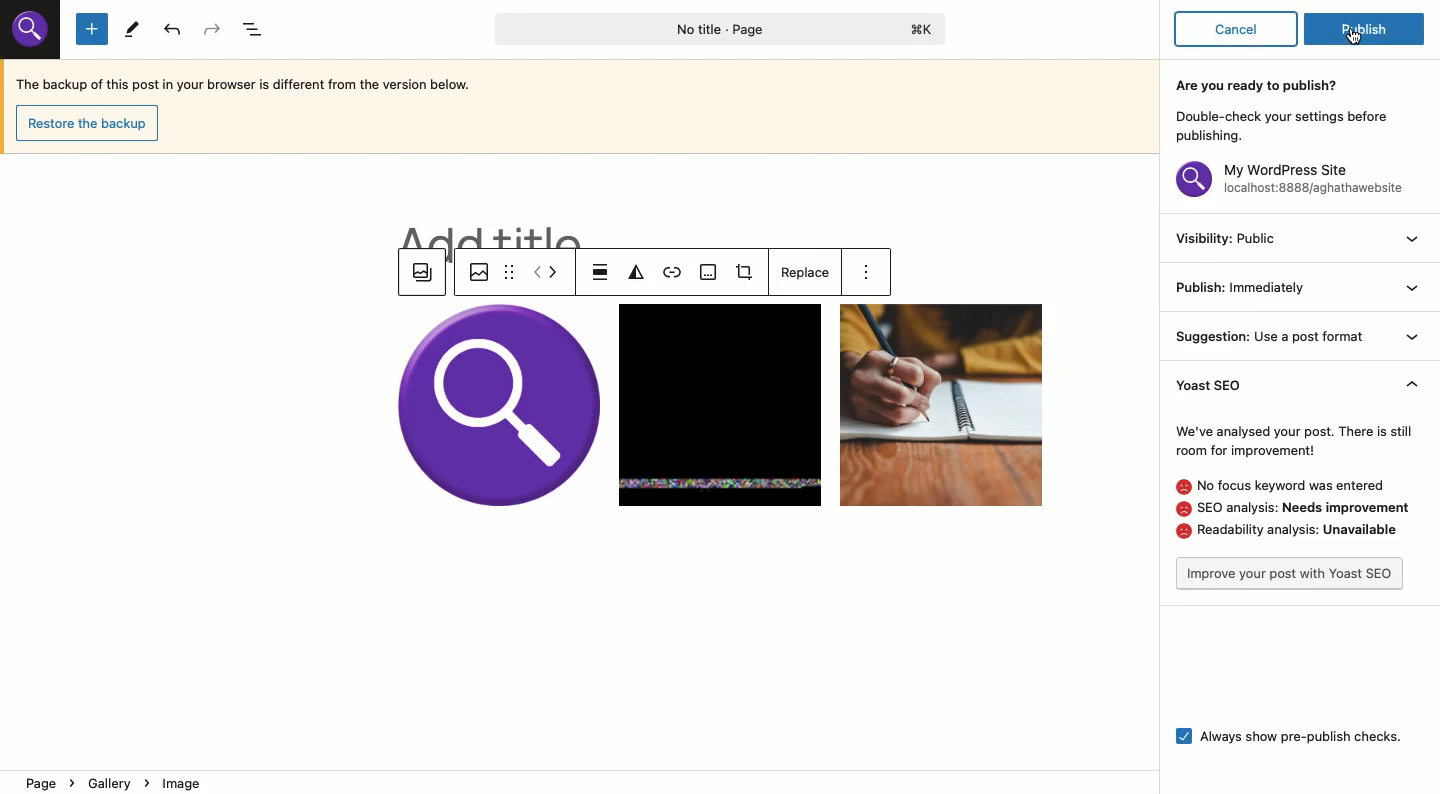  Describe the element at coordinates (1226, 236) in the screenshot. I see `Visibility` at that location.